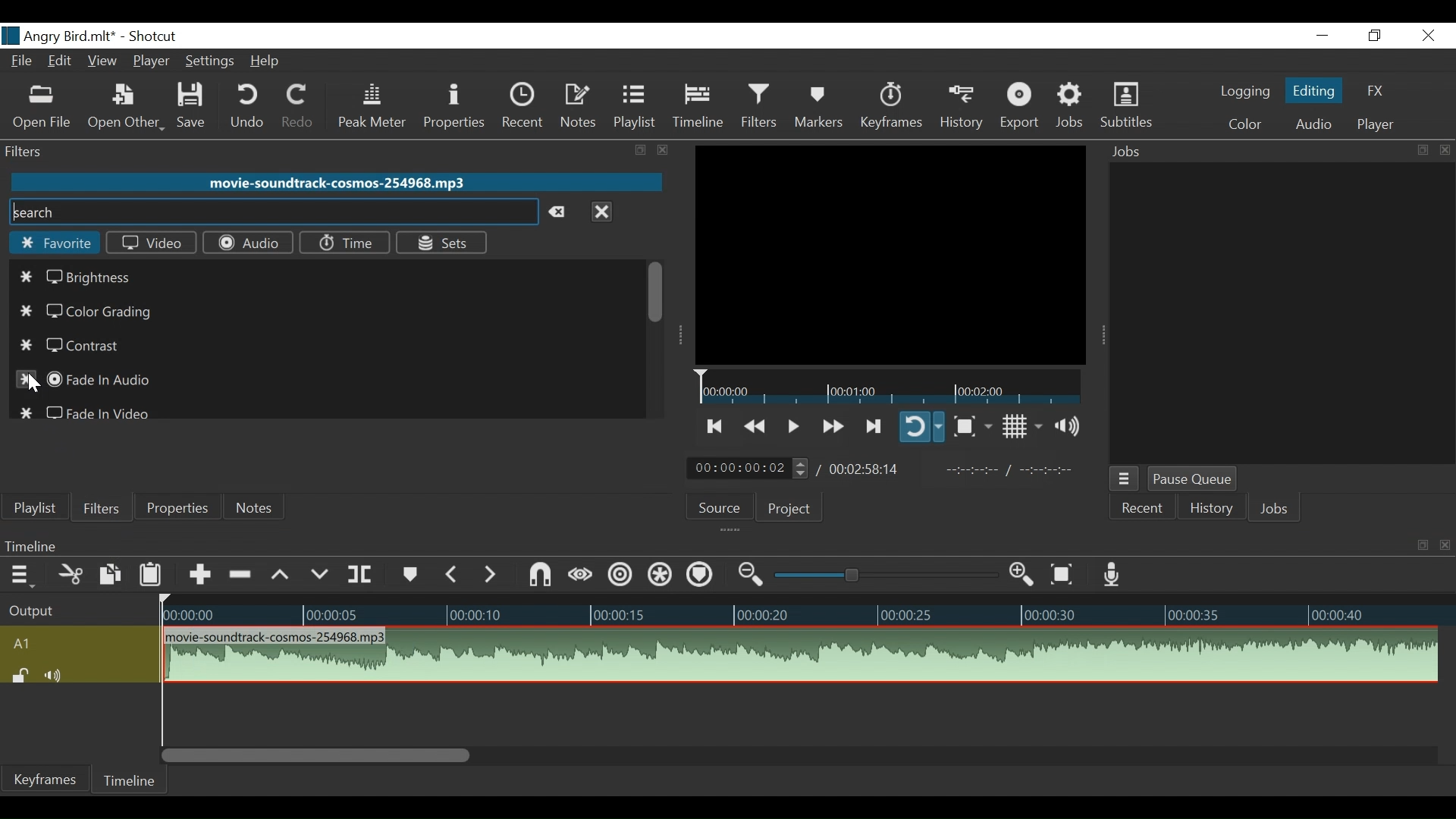 This screenshot has width=1456, height=819. What do you see at coordinates (1373, 126) in the screenshot?
I see `Player` at bounding box center [1373, 126].